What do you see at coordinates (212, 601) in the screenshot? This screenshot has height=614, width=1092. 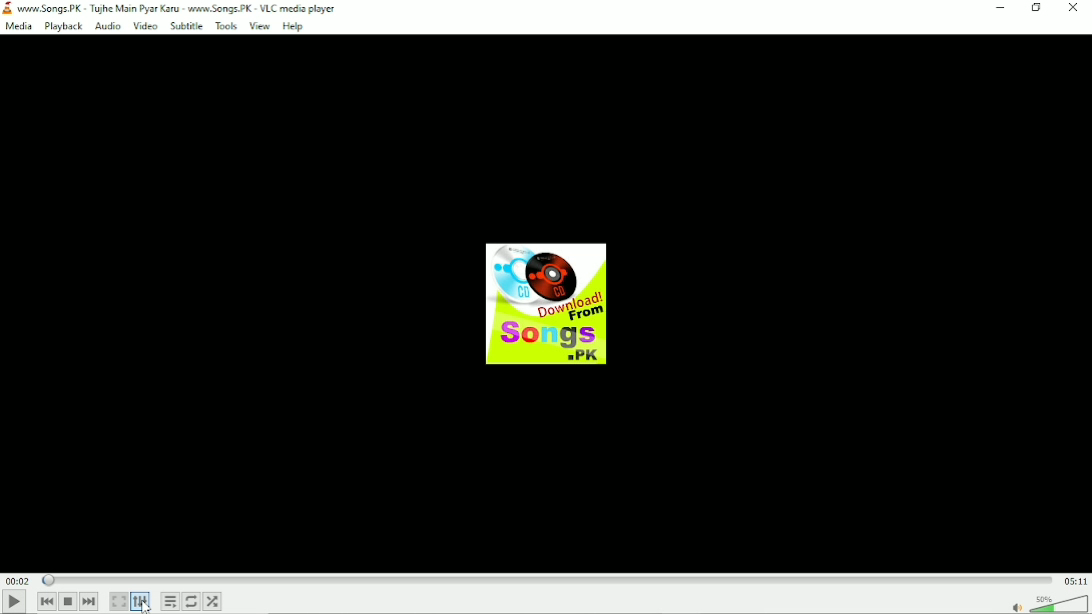 I see `Random` at bounding box center [212, 601].